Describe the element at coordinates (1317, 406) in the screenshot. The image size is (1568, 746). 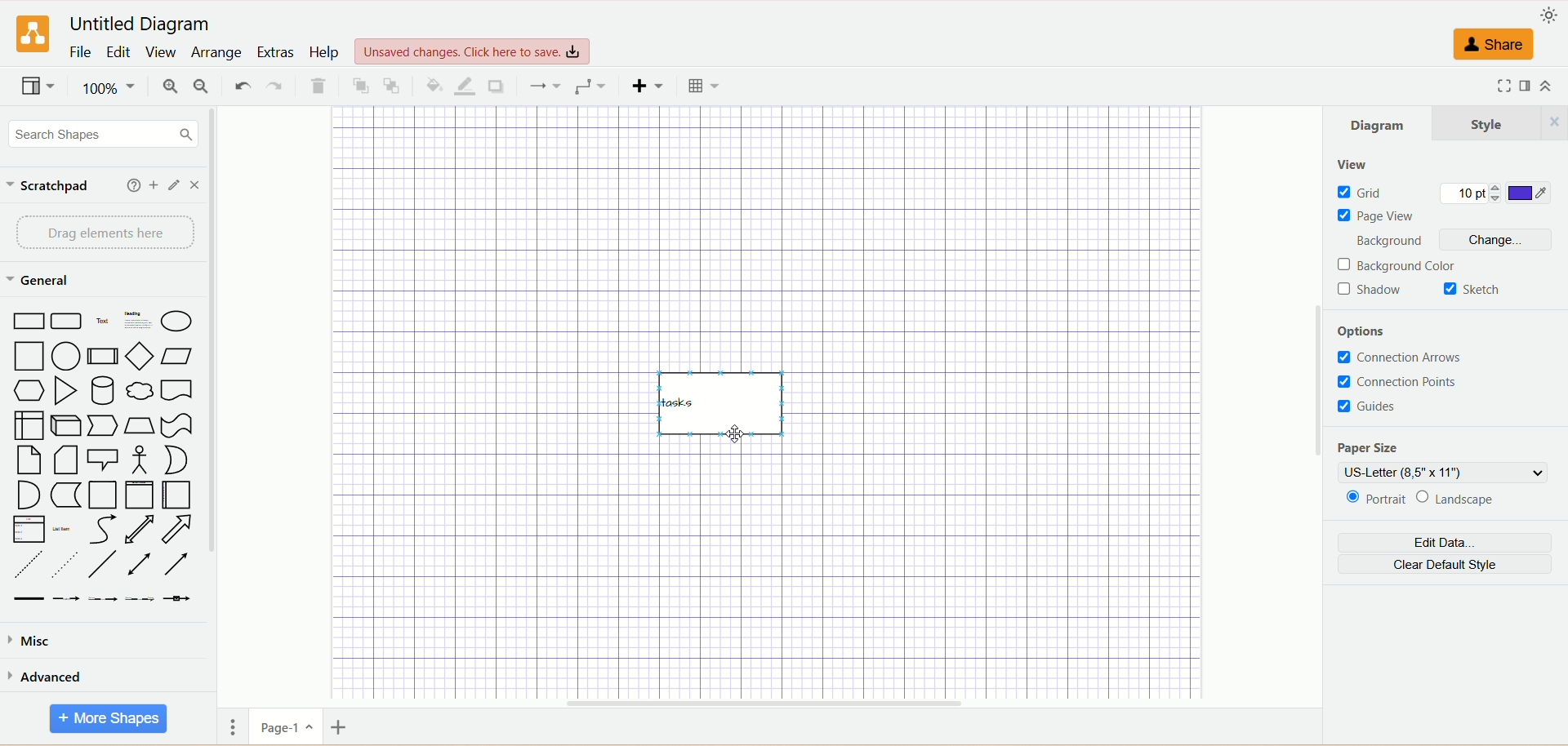
I see `vertical scroll bar` at that location.